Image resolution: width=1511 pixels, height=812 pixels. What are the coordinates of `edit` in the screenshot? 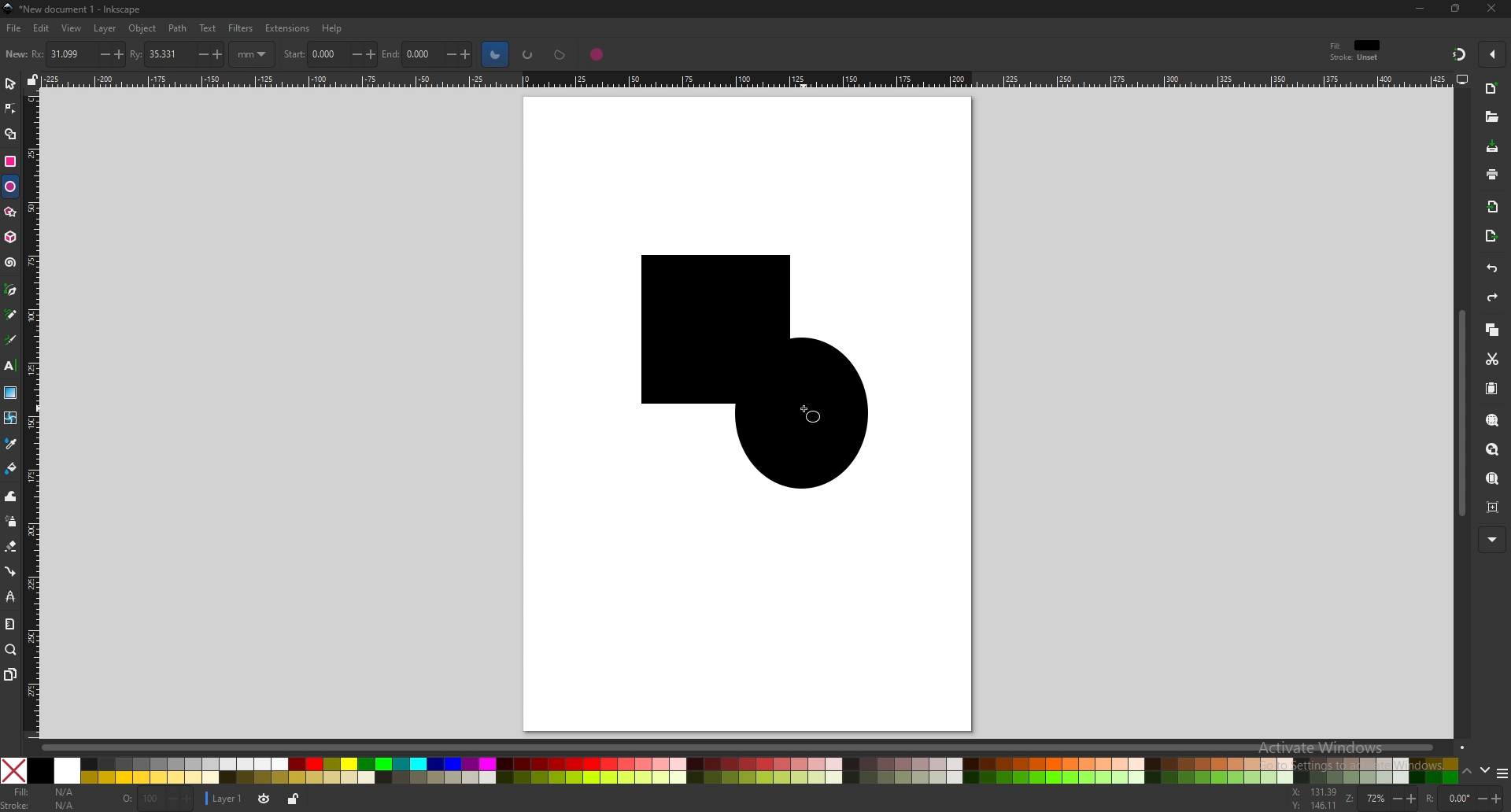 It's located at (42, 29).